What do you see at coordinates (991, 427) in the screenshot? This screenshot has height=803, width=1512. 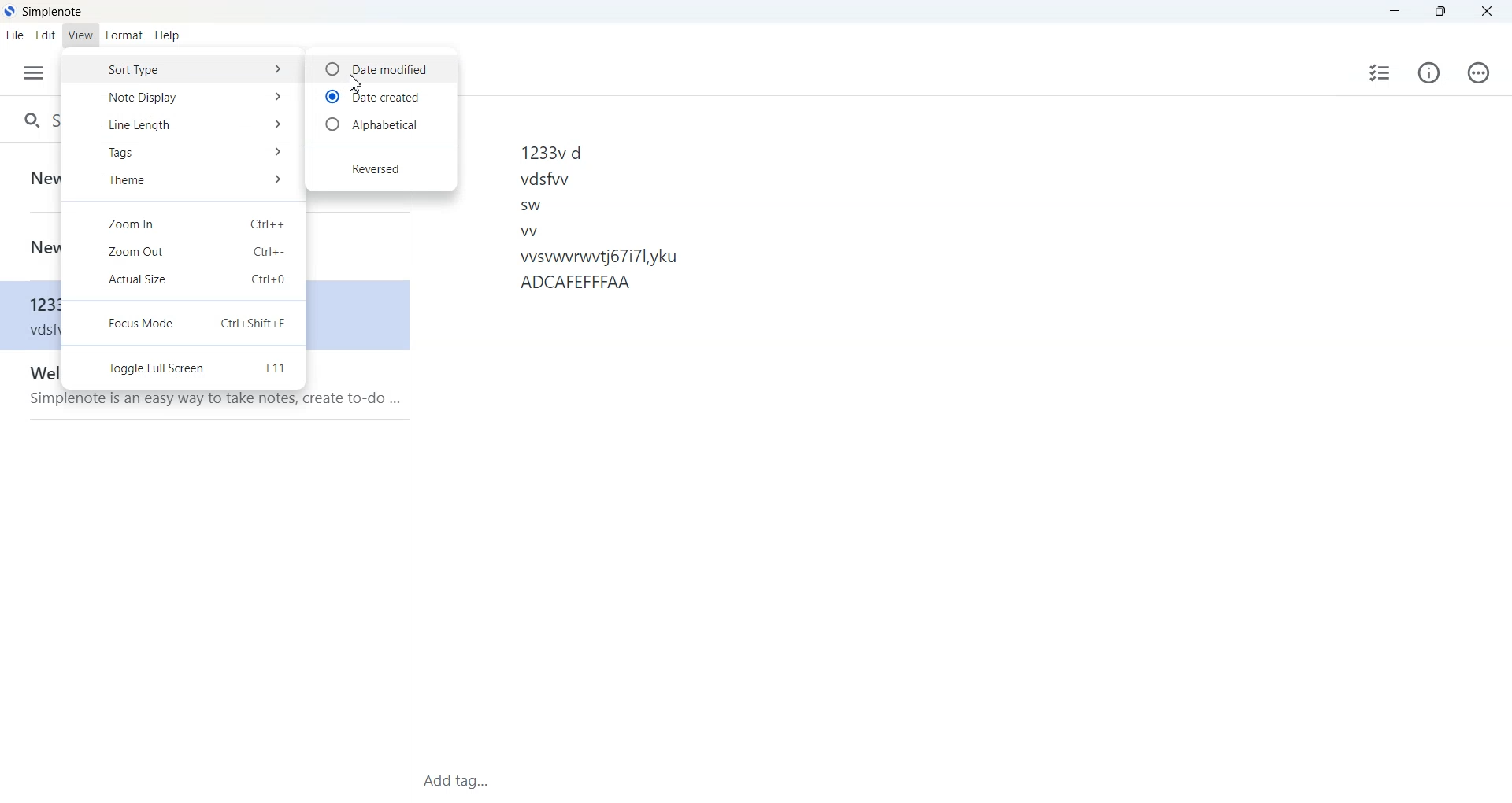 I see `1233 d vddw sw W wwwwnwt67lyku ADCAFEFFFAA` at bounding box center [991, 427].